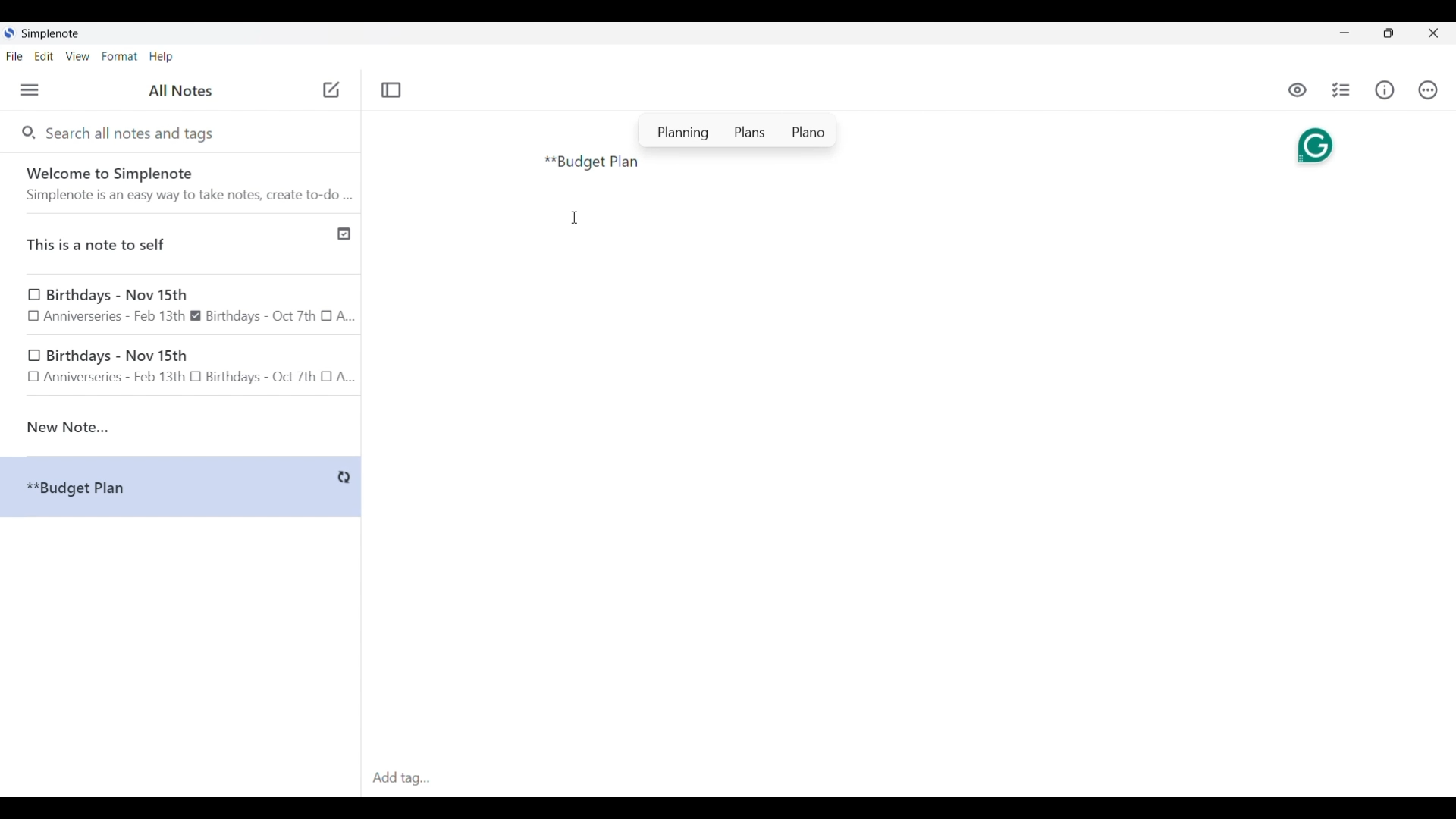 The height and width of the screenshot is (819, 1456). I want to click on Insert checklist, so click(1342, 90).